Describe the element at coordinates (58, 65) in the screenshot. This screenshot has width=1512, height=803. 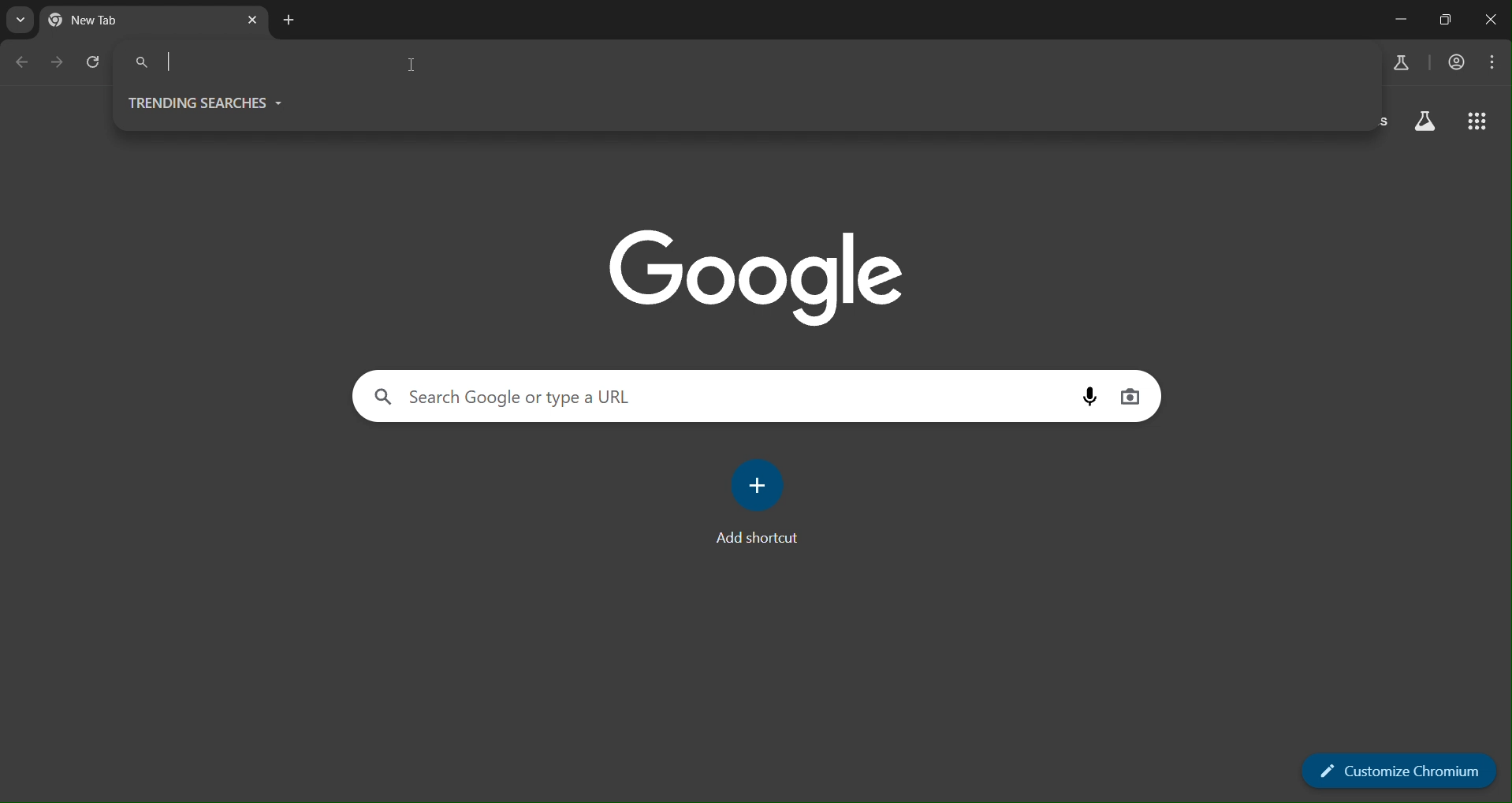
I see `go forward one page` at that location.